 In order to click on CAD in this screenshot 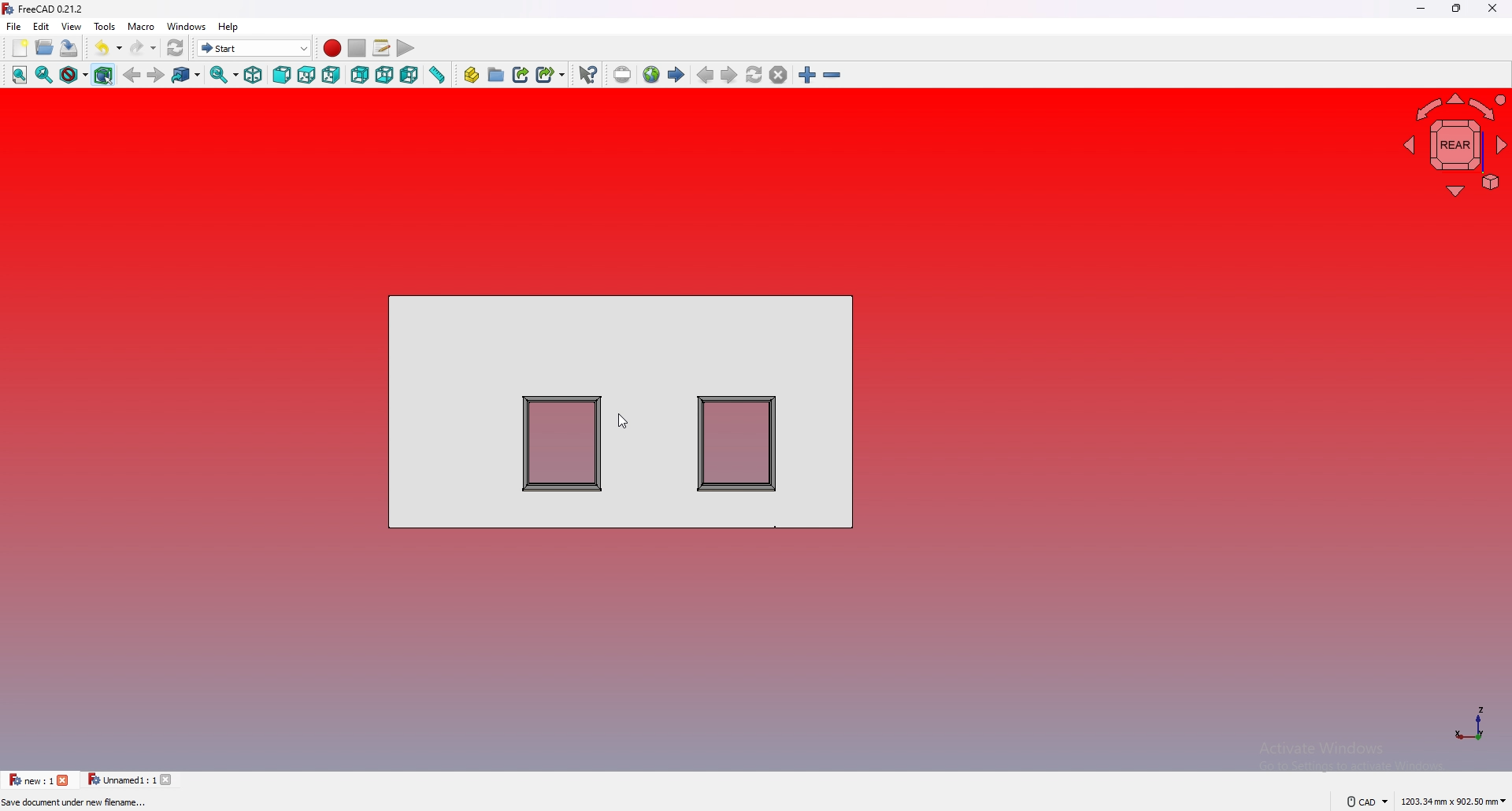, I will do `click(1369, 801)`.